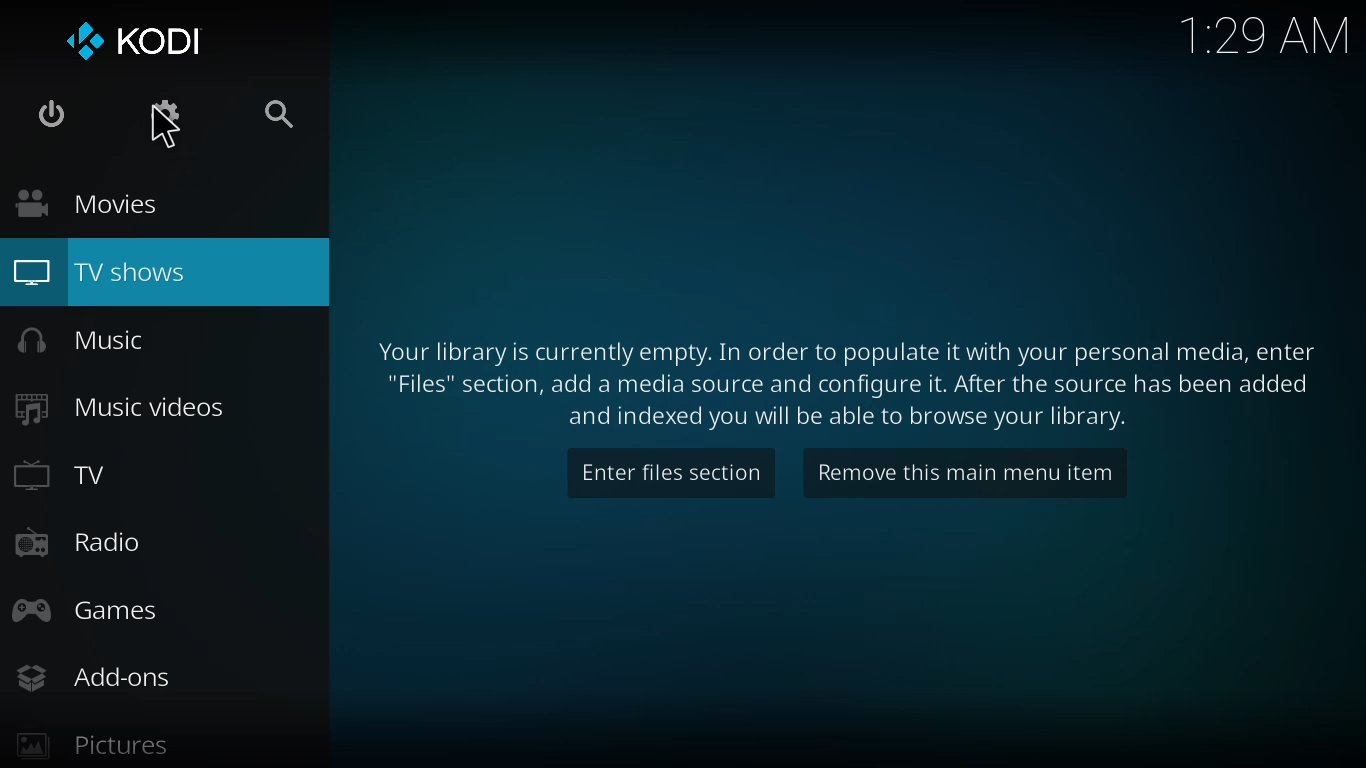 Image resolution: width=1366 pixels, height=768 pixels. Describe the element at coordinates (287, 116) in the screenshot. I see `search` at that location.